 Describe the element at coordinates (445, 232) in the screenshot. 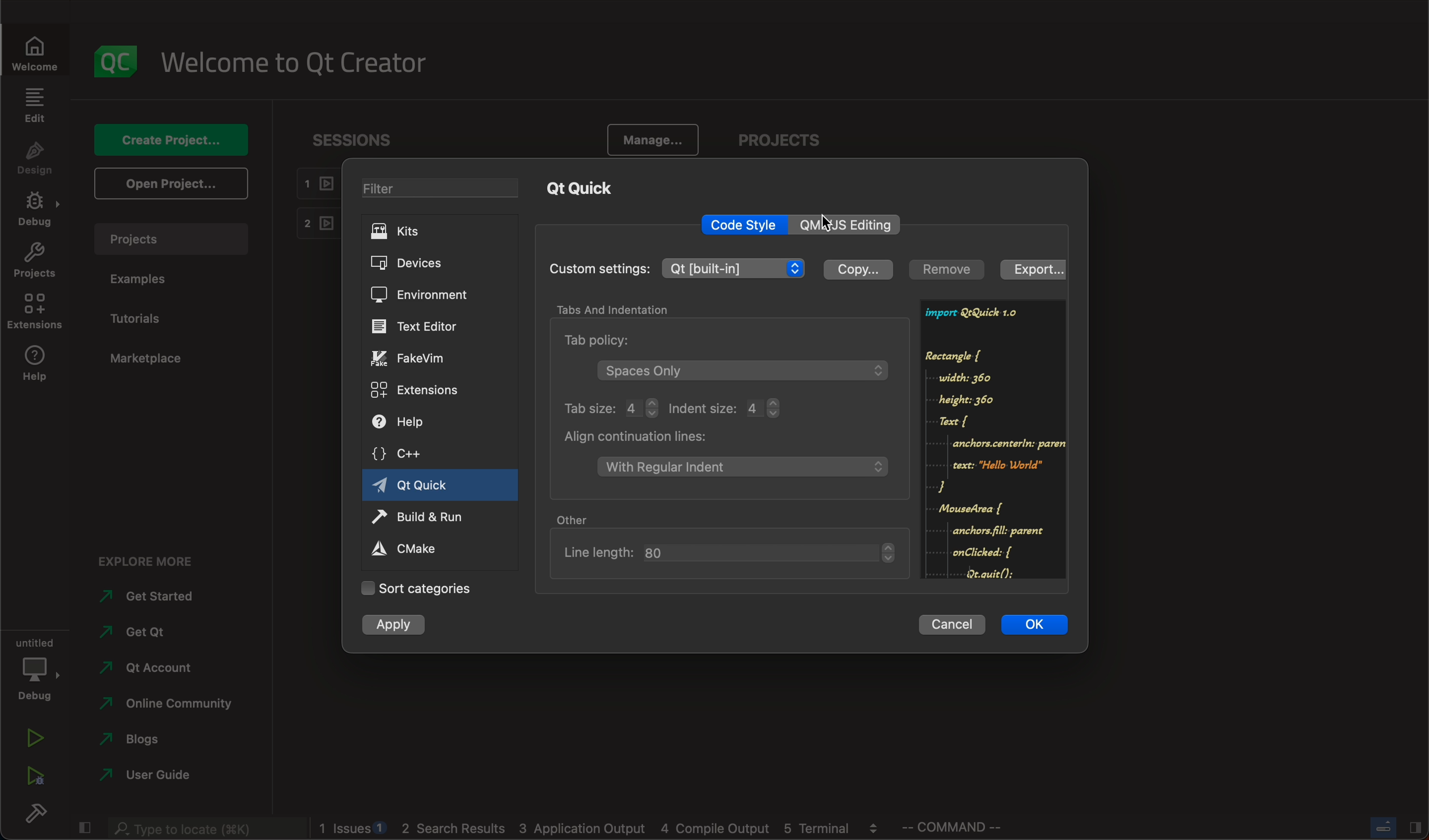

I see `kits` at that location.